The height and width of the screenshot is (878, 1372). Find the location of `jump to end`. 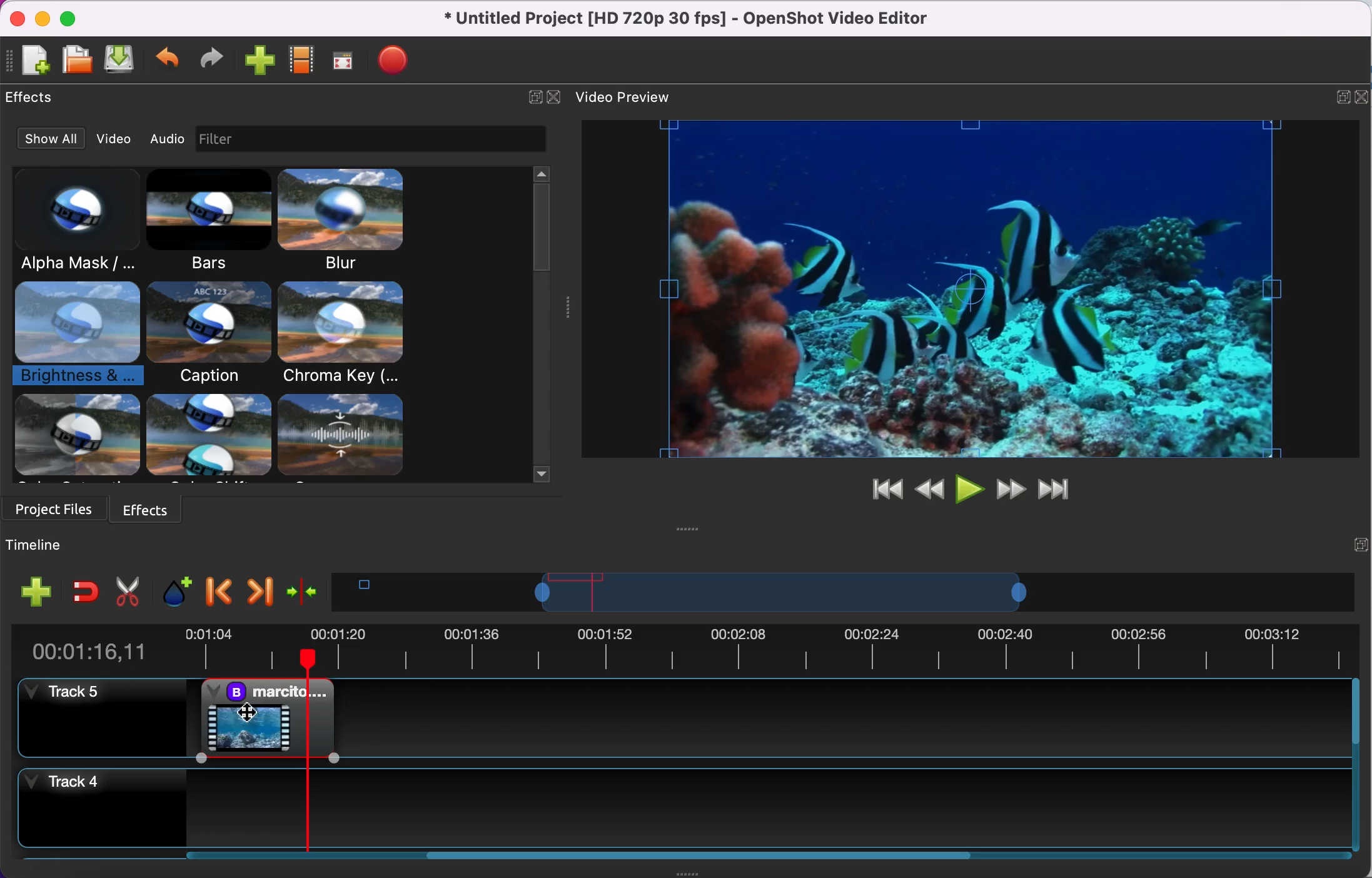

jump to end is located at coordinates (1056, 490).